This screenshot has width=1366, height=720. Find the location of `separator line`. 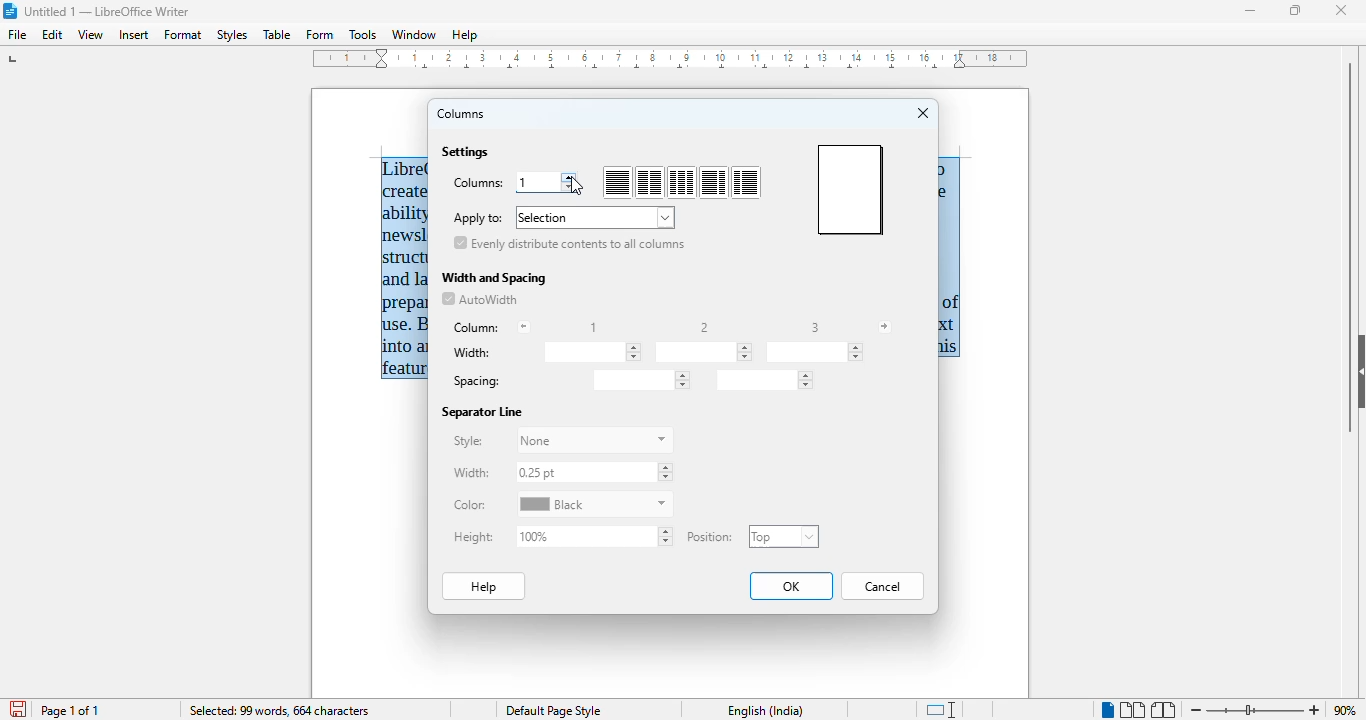

separator line is located at coordinates (483, 413).